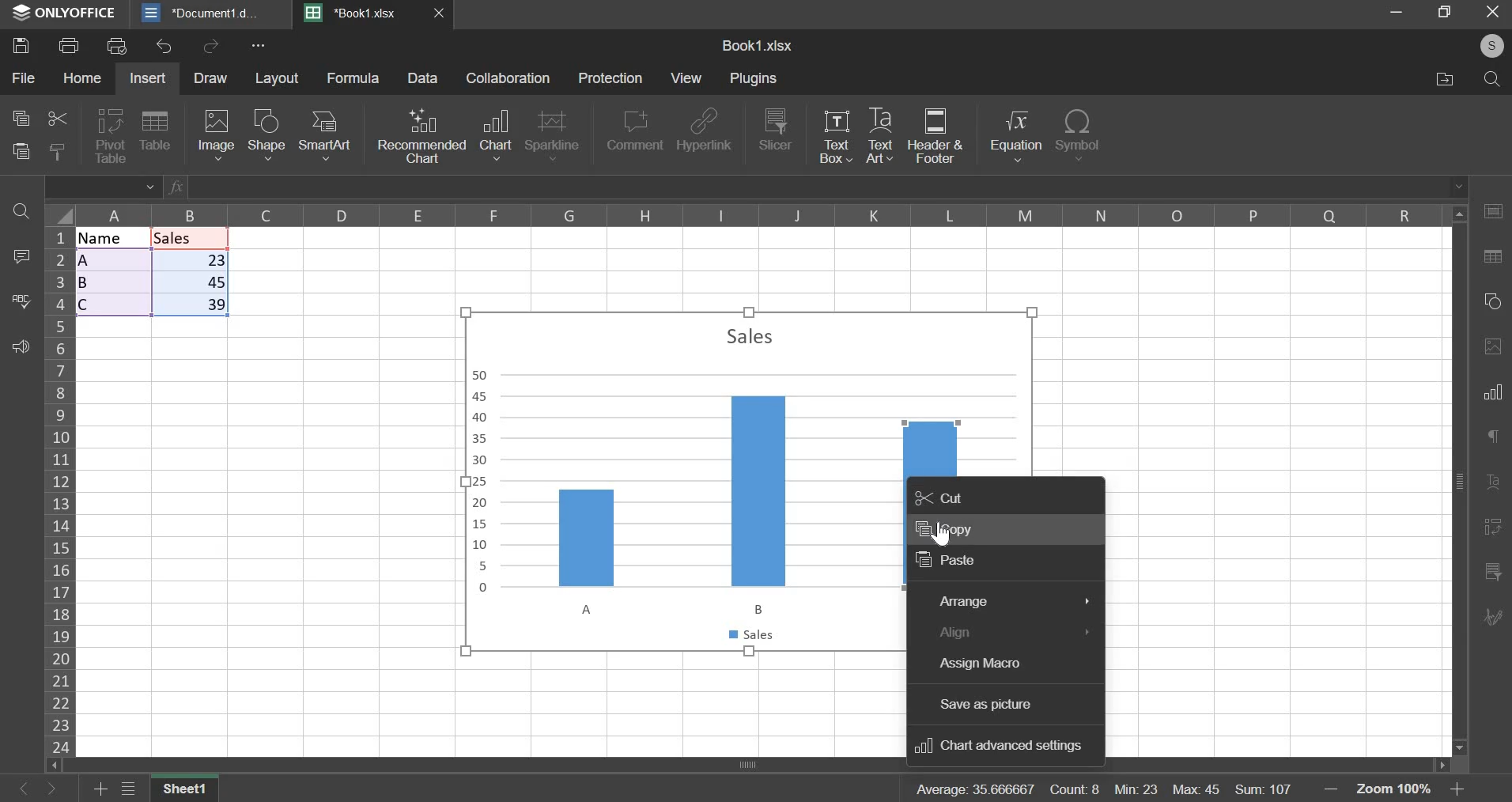  Describe the element at coordinates (833, 187) in the screenshot. I see `Enter typing window` at that location.